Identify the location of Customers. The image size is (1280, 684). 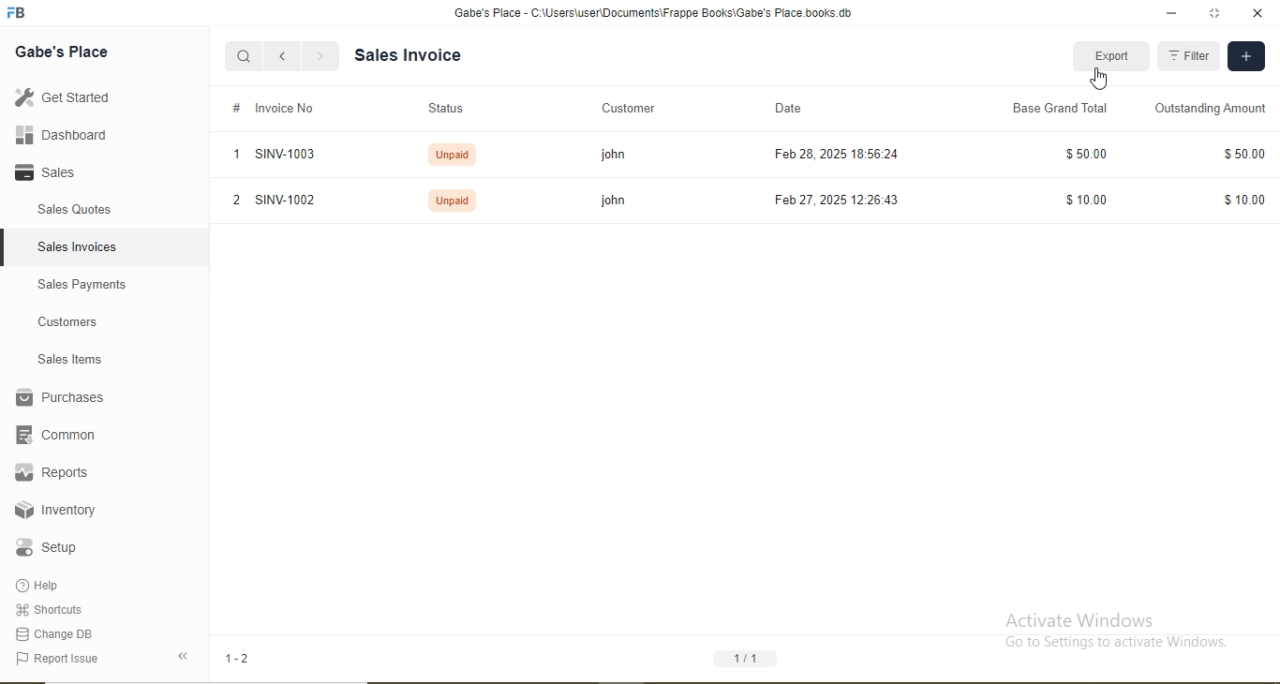
(69, 320).